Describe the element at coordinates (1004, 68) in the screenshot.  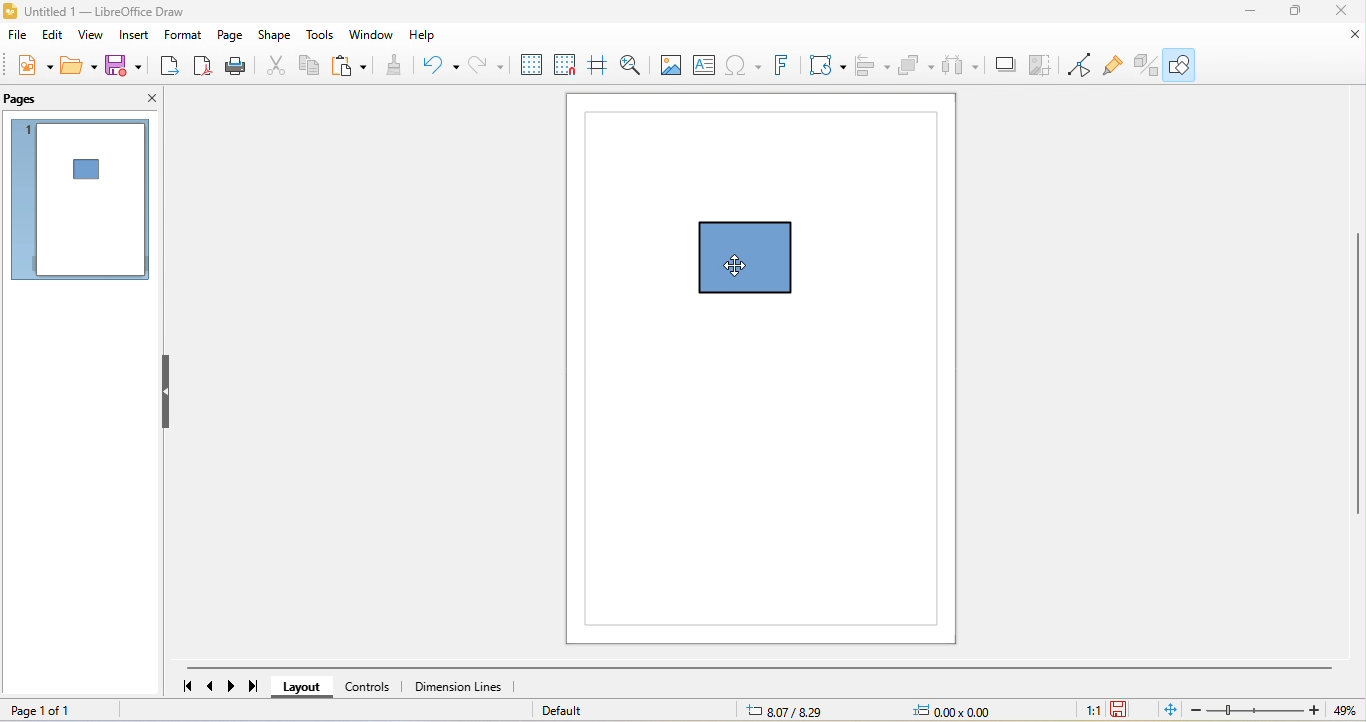
I see `shadow` at that location.